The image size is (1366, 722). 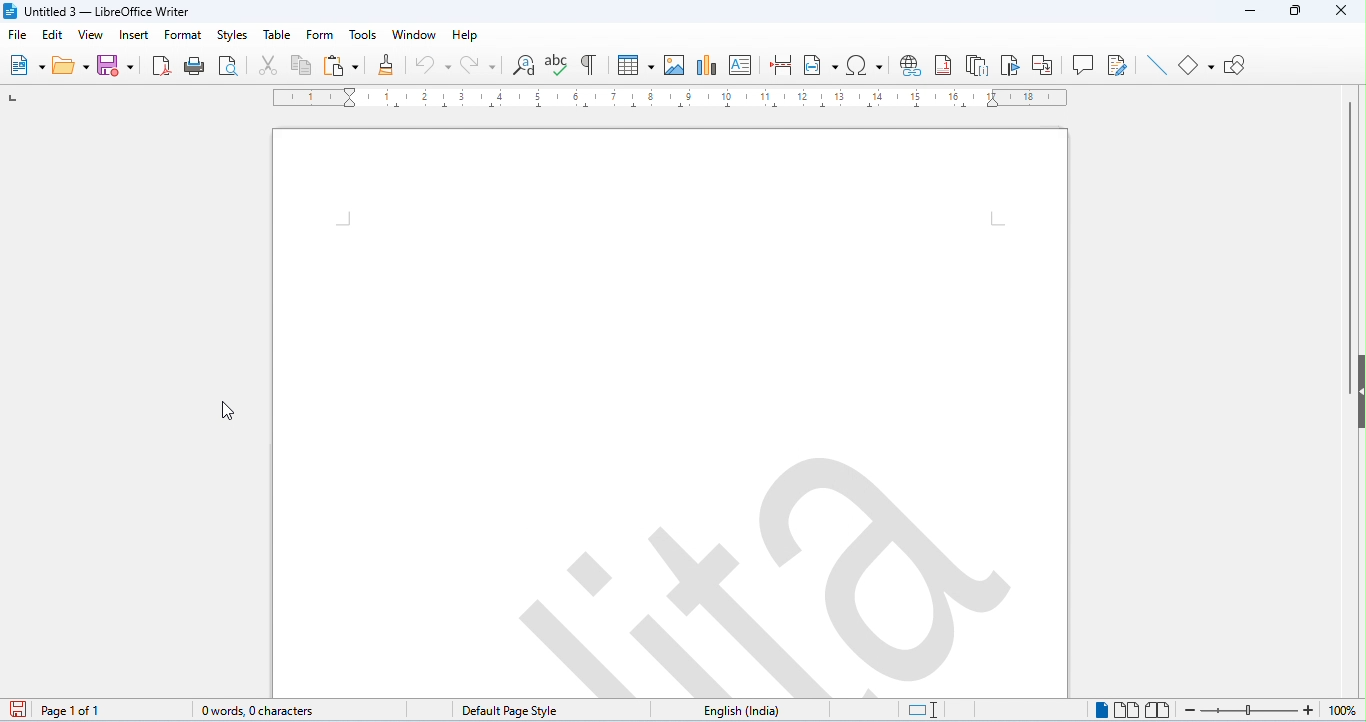 I want to click on toggle formatting marks, so click(x=588, y=63).